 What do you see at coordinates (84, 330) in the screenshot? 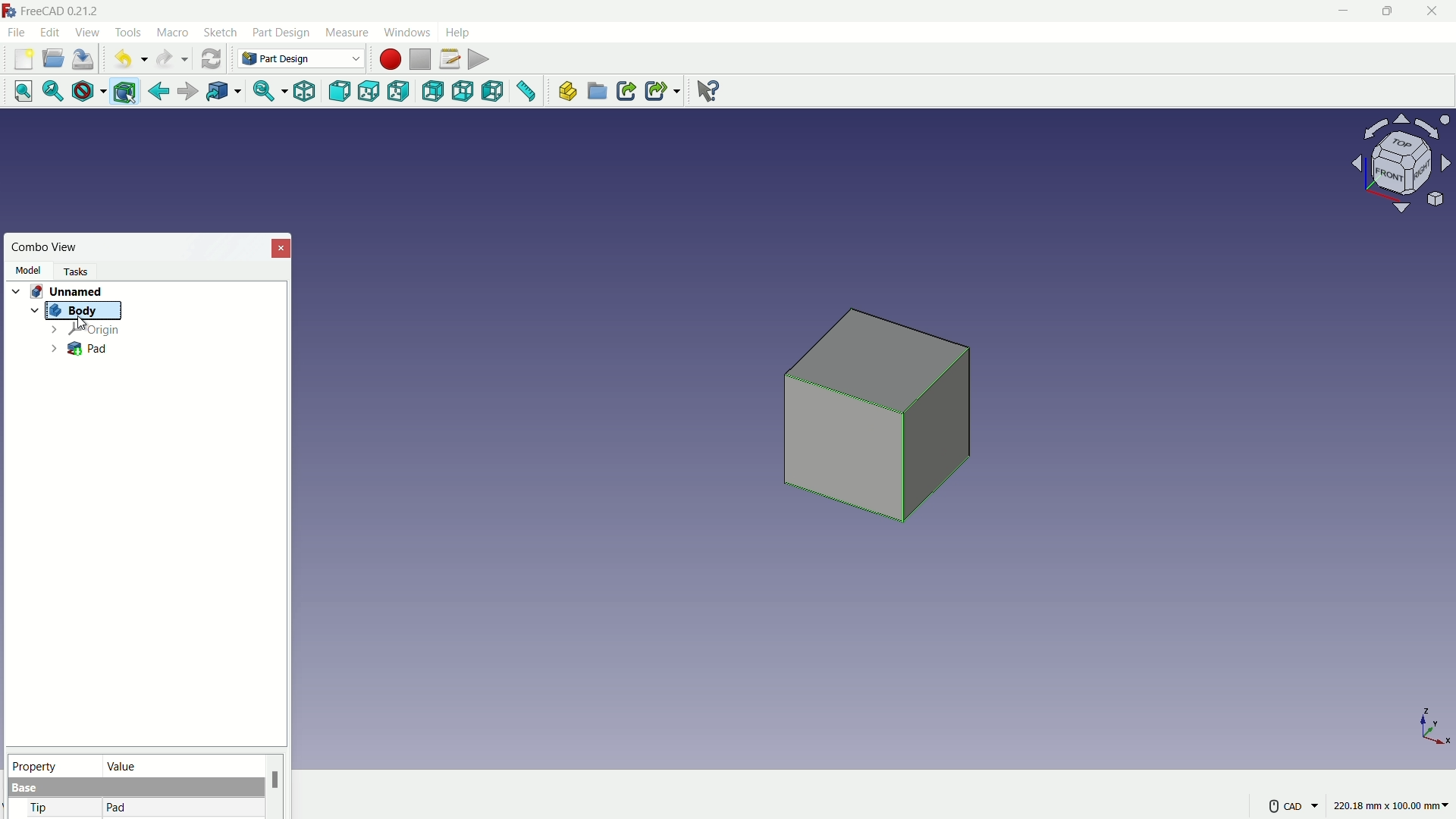
I see `Origin` at bounding box center [84, 330].